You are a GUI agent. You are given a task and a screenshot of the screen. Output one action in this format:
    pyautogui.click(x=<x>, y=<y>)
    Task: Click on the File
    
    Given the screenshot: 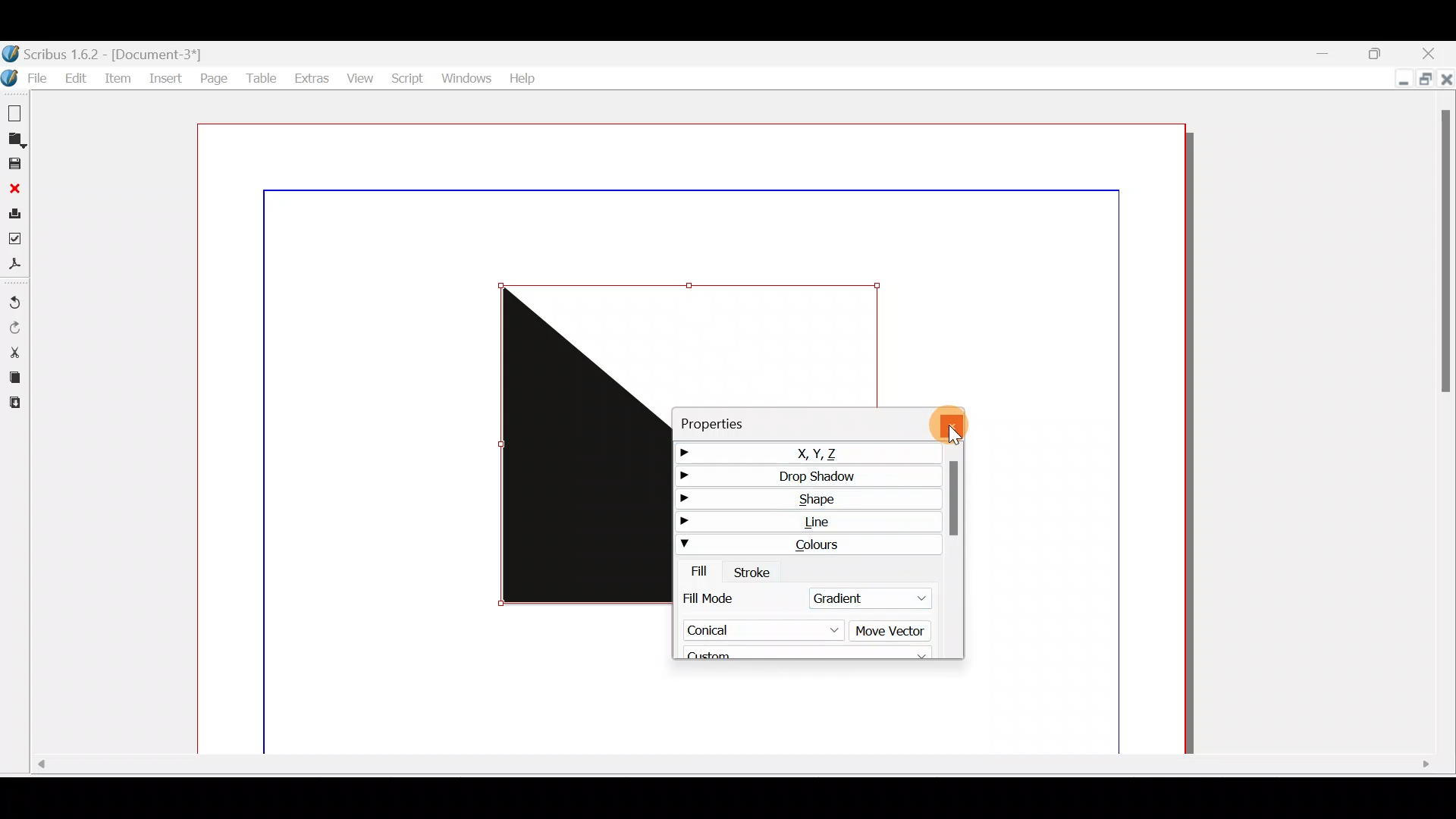 What is the action you would take?
    pyautogui.click(x=24, y=78)
    